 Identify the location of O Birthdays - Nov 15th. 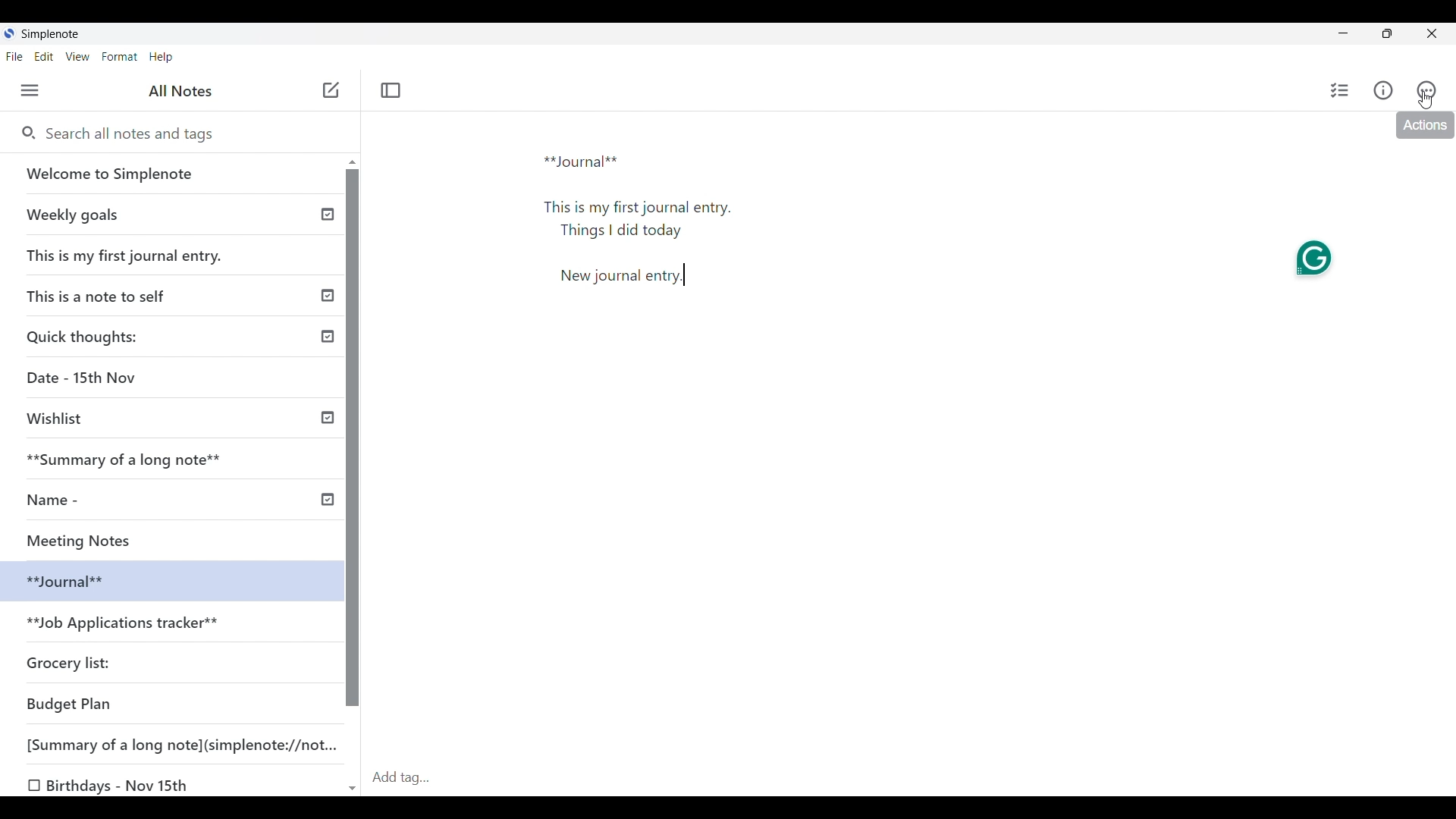
(111, 786).